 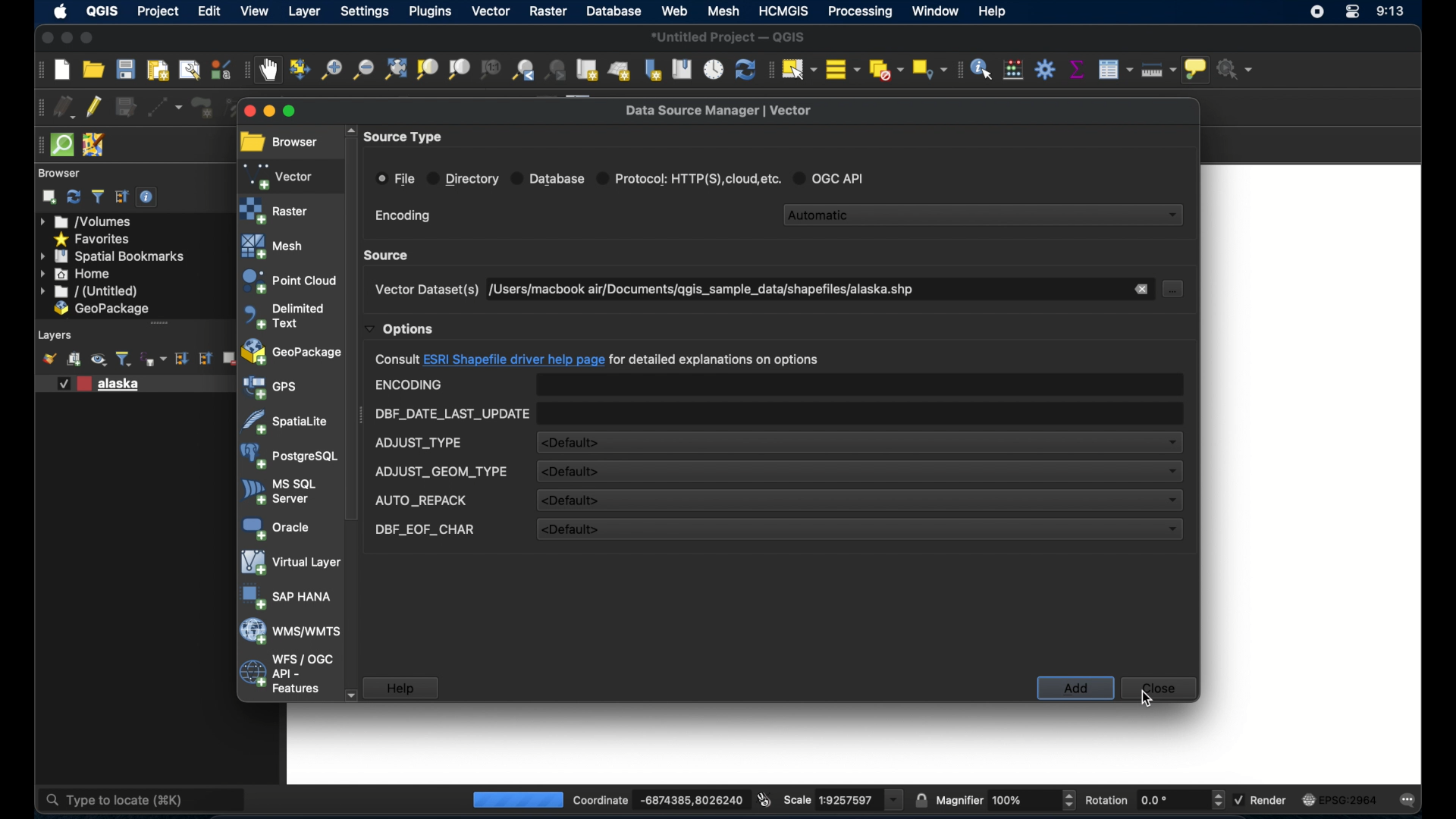 What do you see at coordinates (302, 11) in the screenshot?
I see `layer` at bounding box center [302, 11].